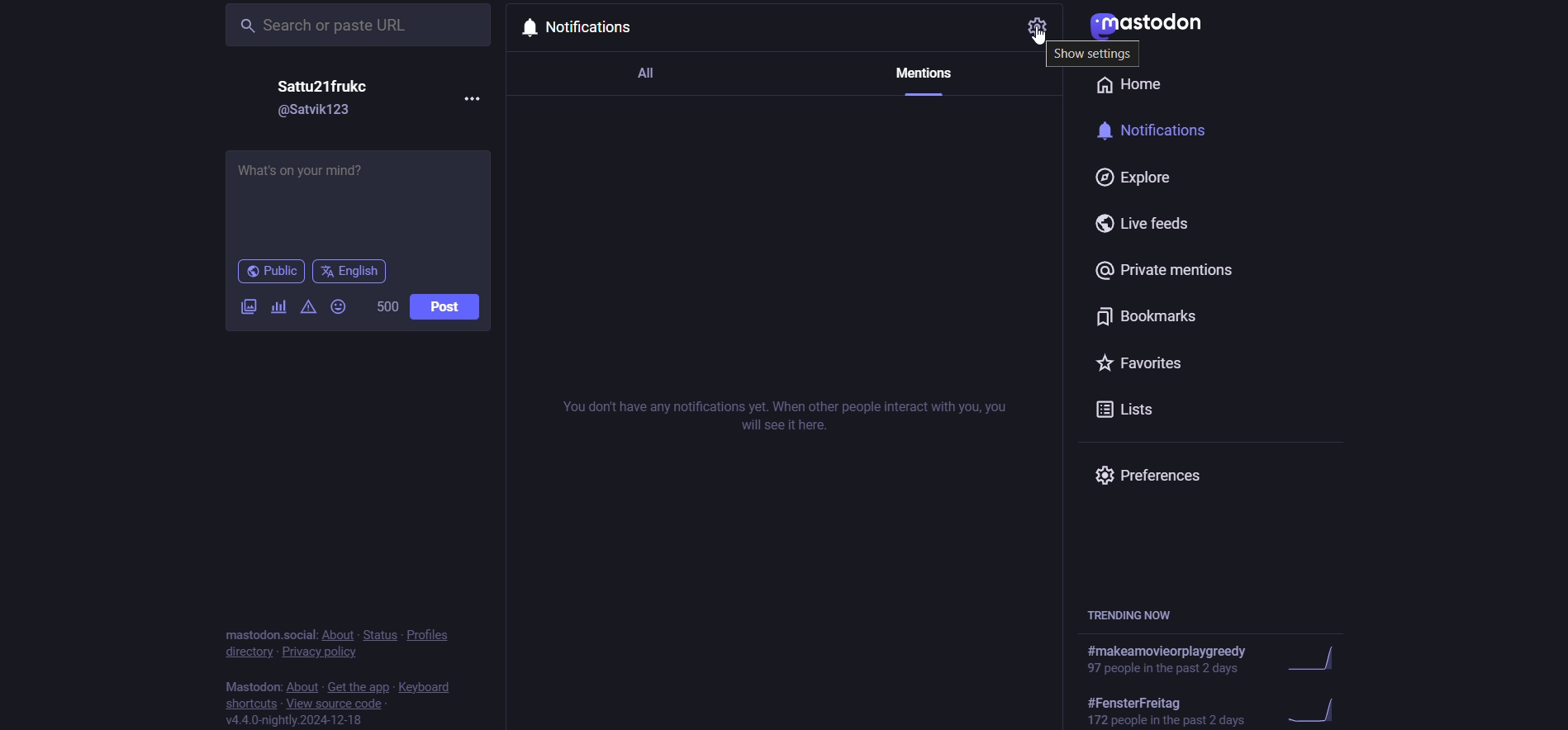 This screenshot has width=1568, height=730. What do you see at coordinates (246, 653) in the screenshot?
I see `directory` at bounding box center [246, 653].